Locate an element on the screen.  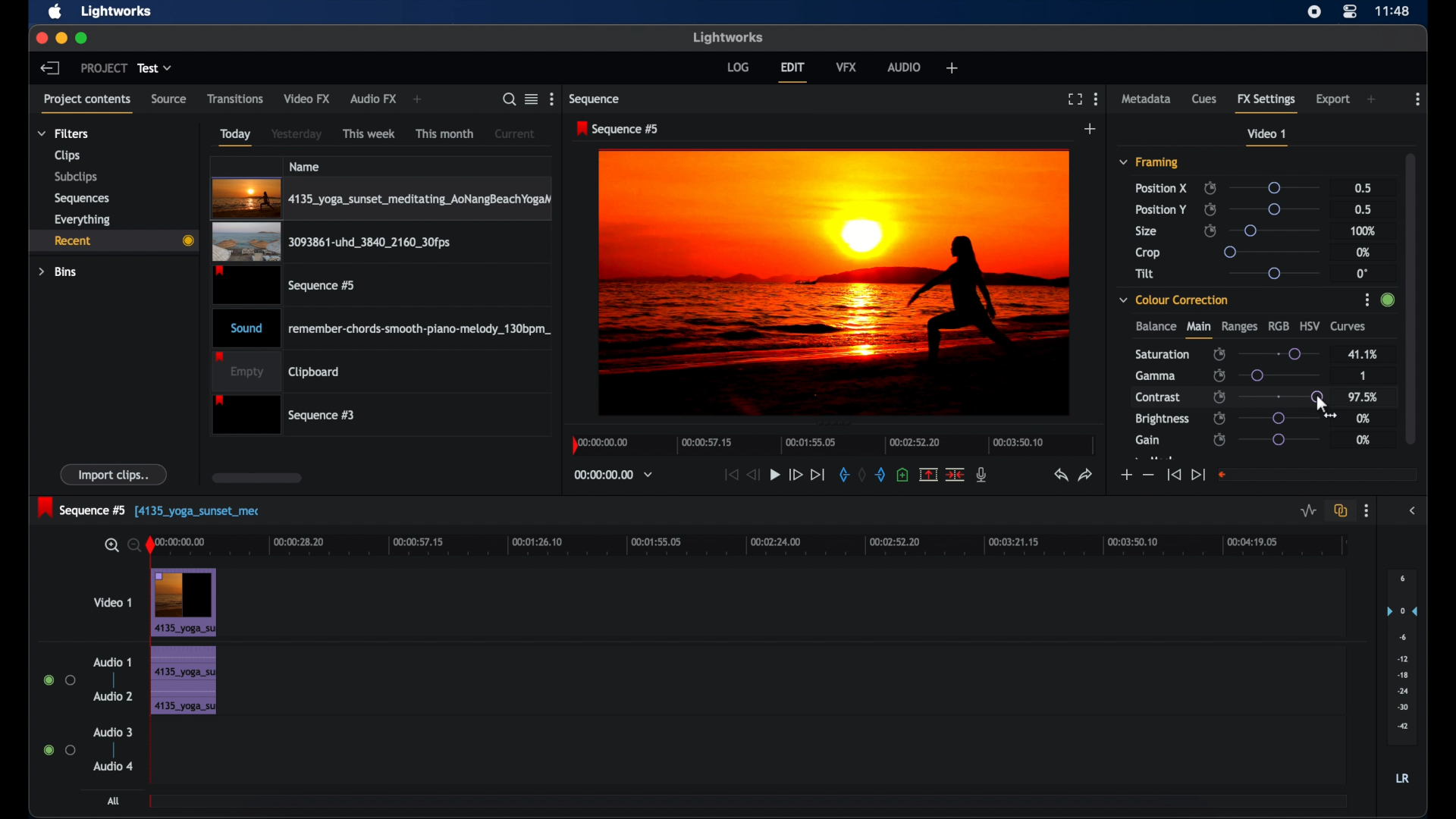
size is located at coordinates (1147, 232).